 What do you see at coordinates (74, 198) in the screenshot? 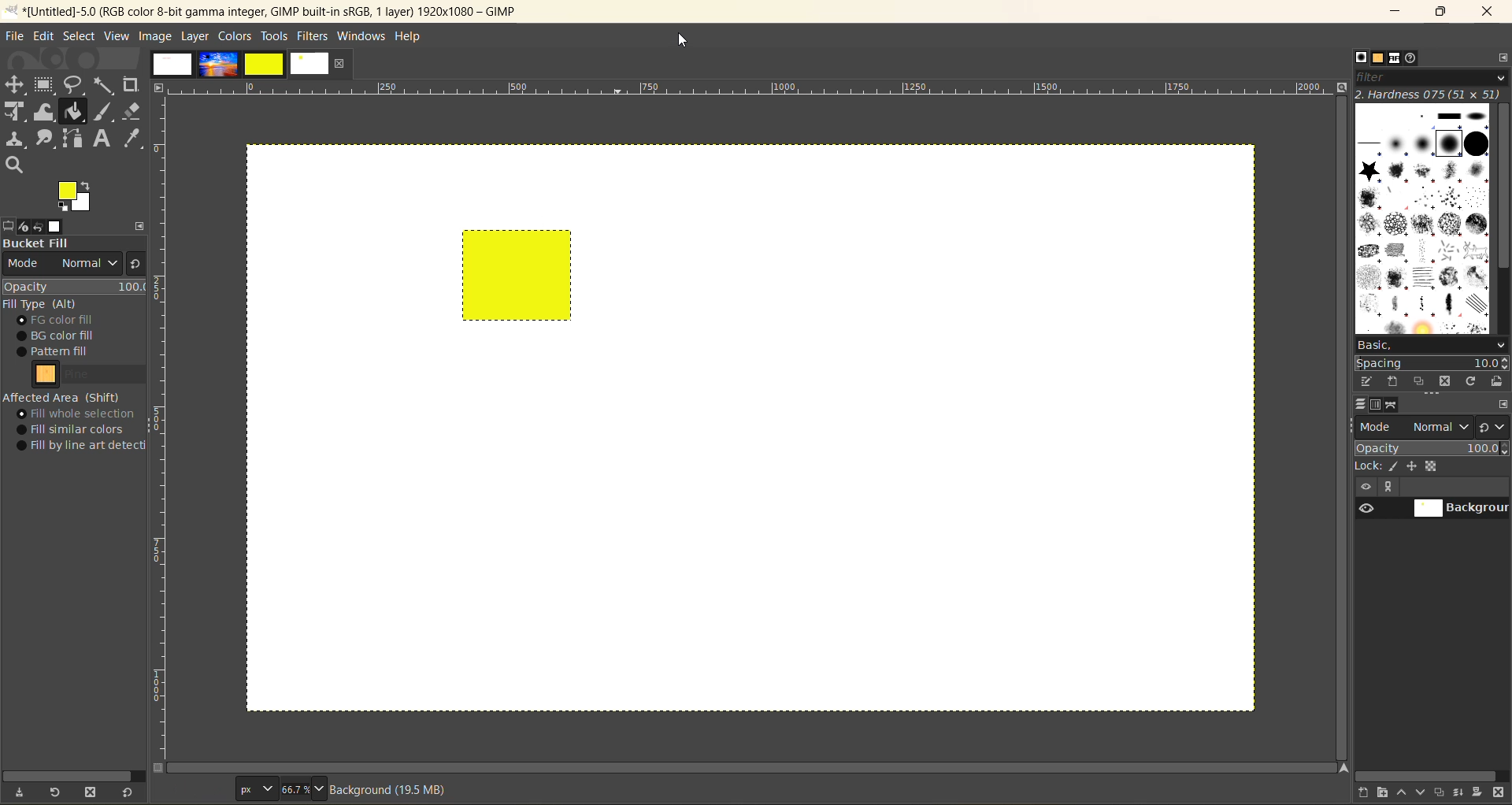
I see `foreground color changed` at bounding box center [74, 198].